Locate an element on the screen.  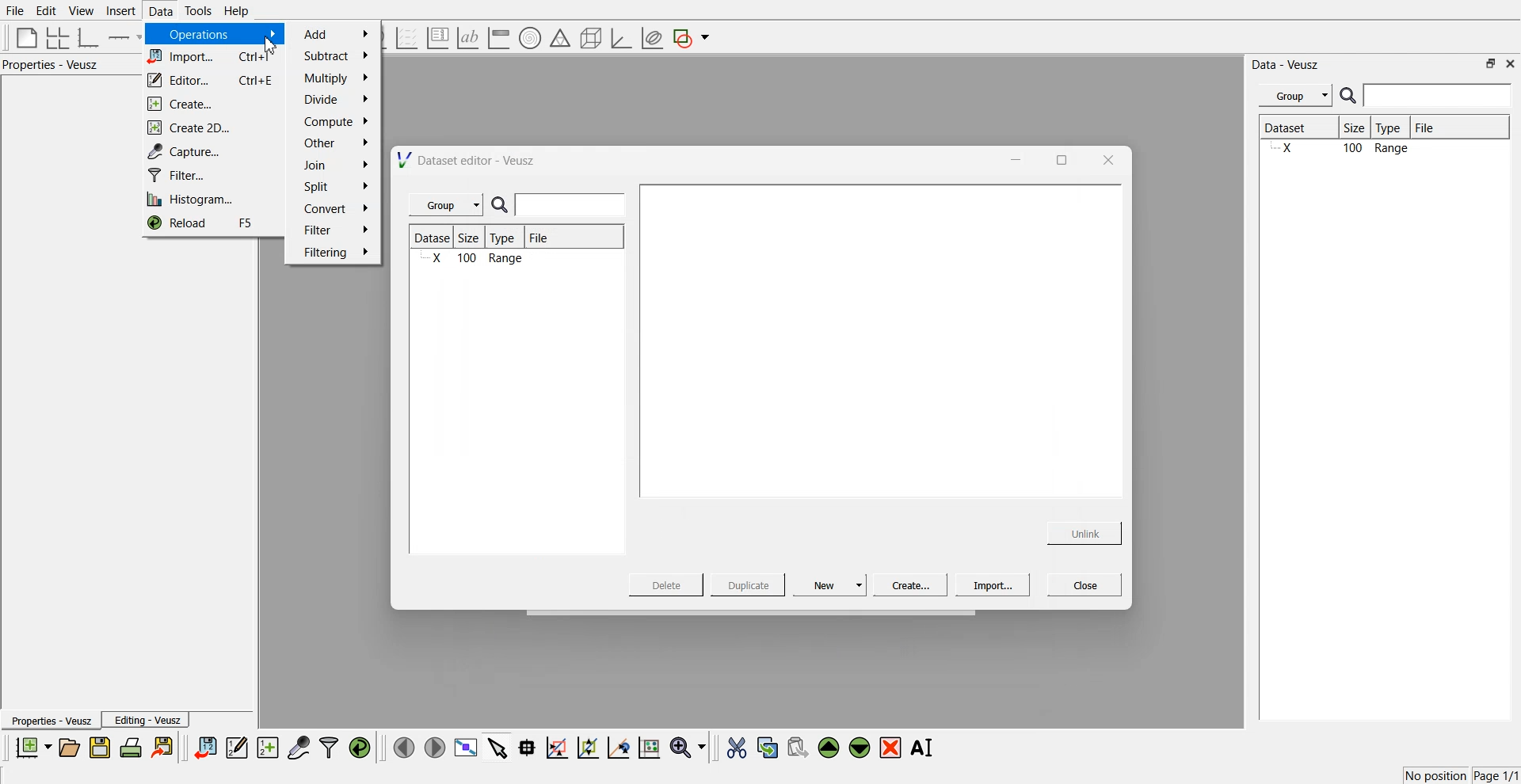
Dataset editor - Veusz     is located at coordinates (468, 160).